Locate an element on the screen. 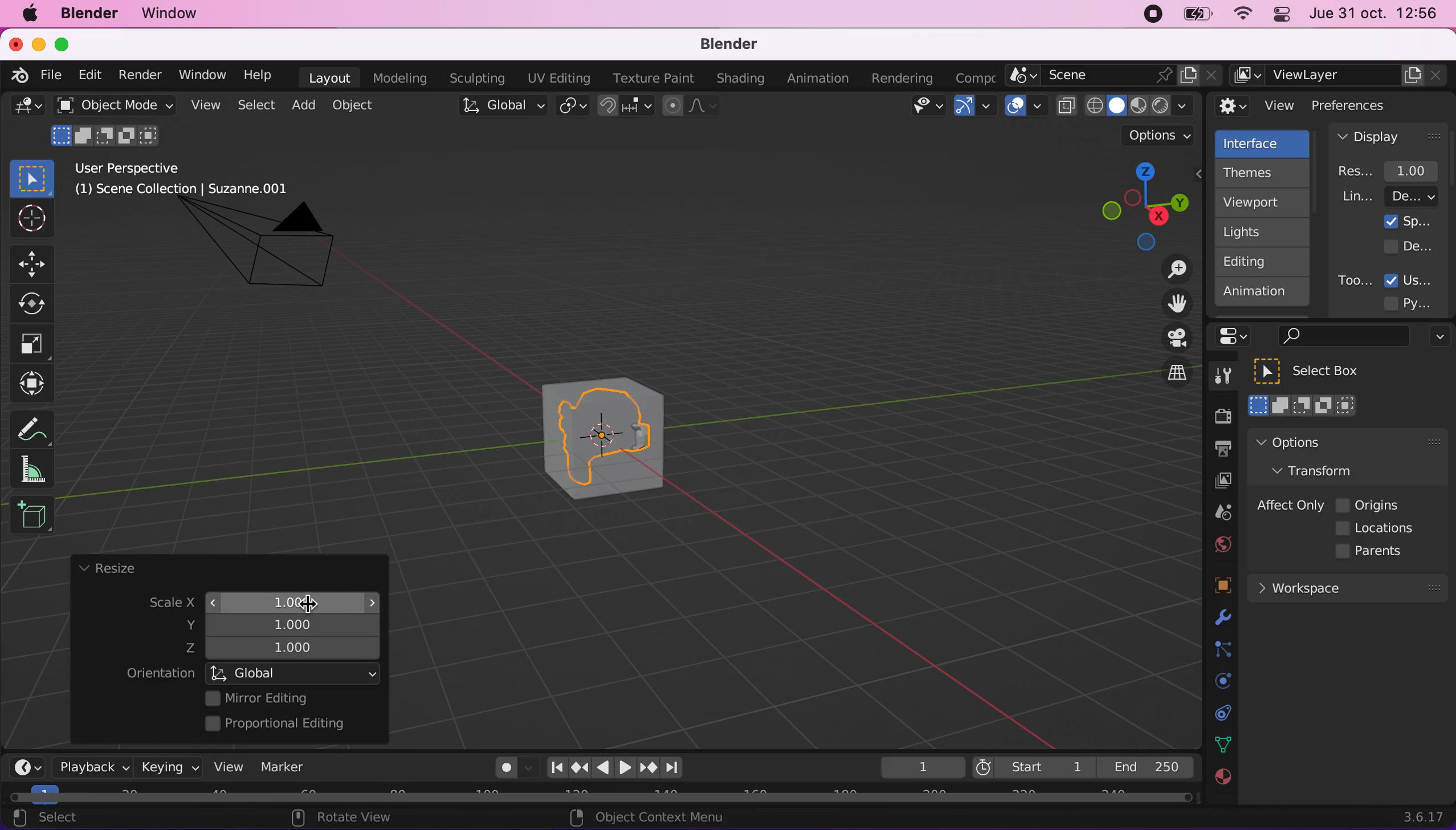 The width and height of the screenshot is (1456, 830). uv editing is located at coordinates (558, 78).